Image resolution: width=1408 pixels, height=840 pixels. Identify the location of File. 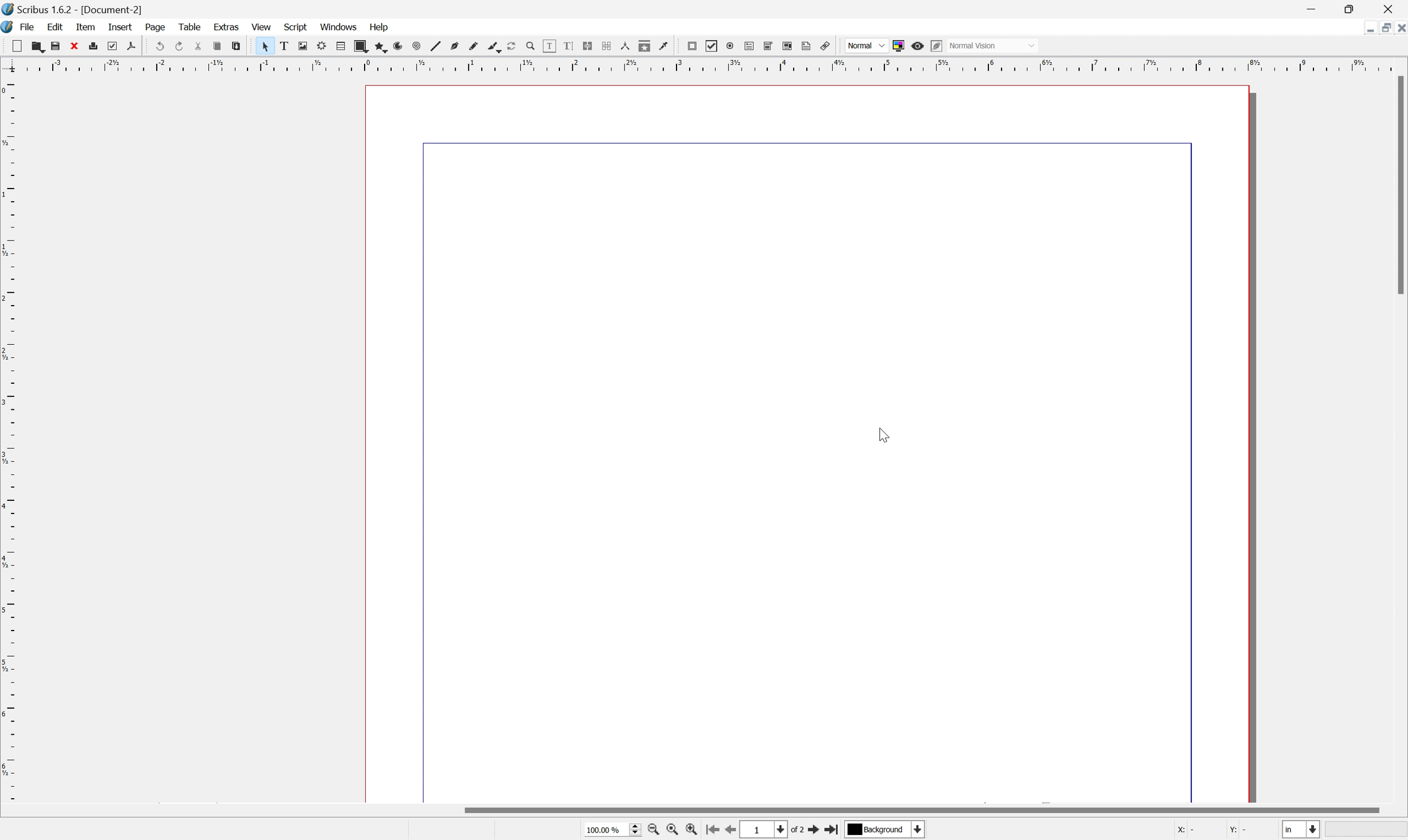
(29, 28).